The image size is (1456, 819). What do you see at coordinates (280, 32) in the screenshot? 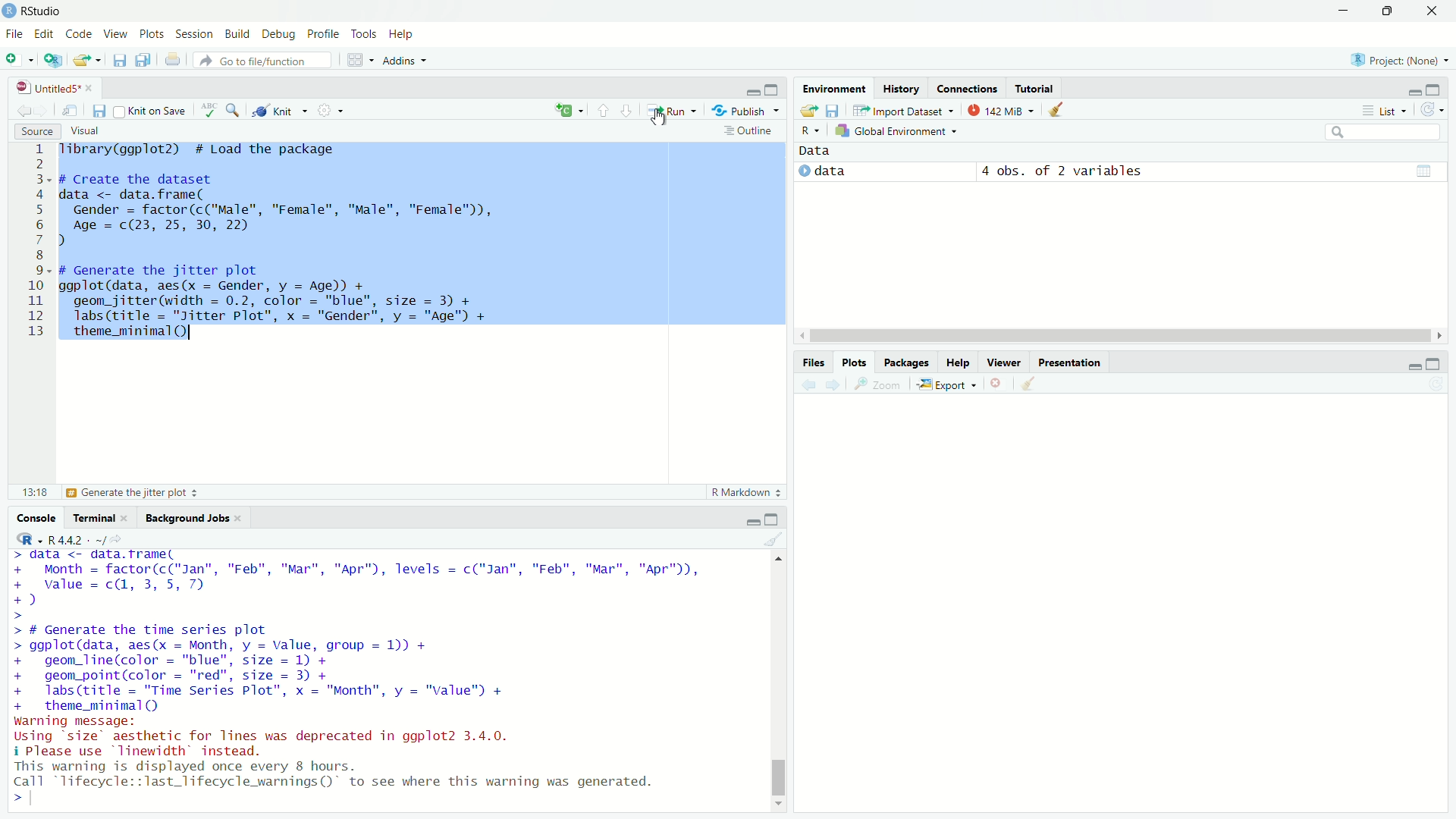
I see `debug` at bounding box center [280, 32].